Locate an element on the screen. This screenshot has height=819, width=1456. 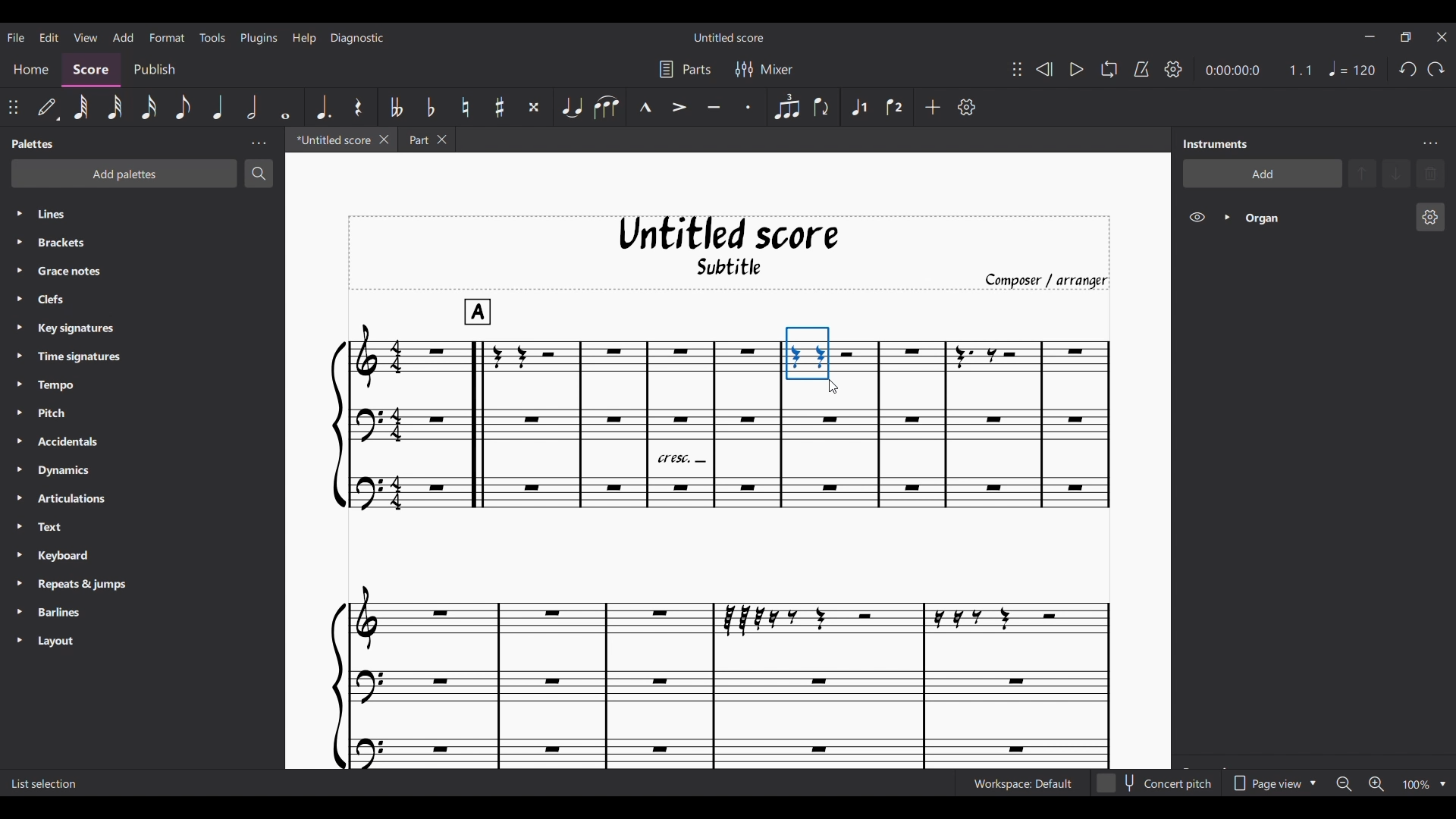
Tie is located at coordinates (572, 107).